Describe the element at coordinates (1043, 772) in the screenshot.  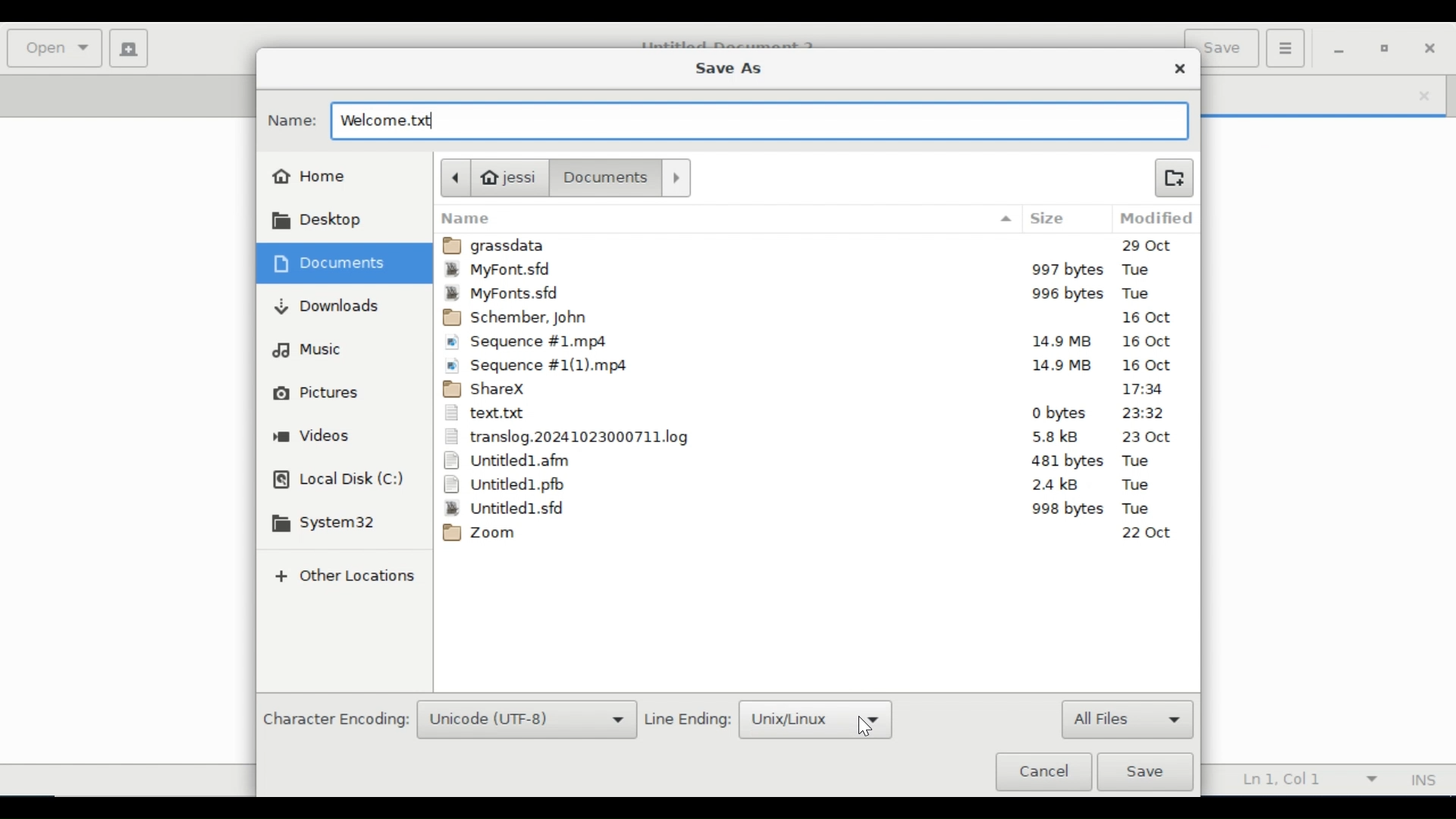
I see `Cancel` at that location.